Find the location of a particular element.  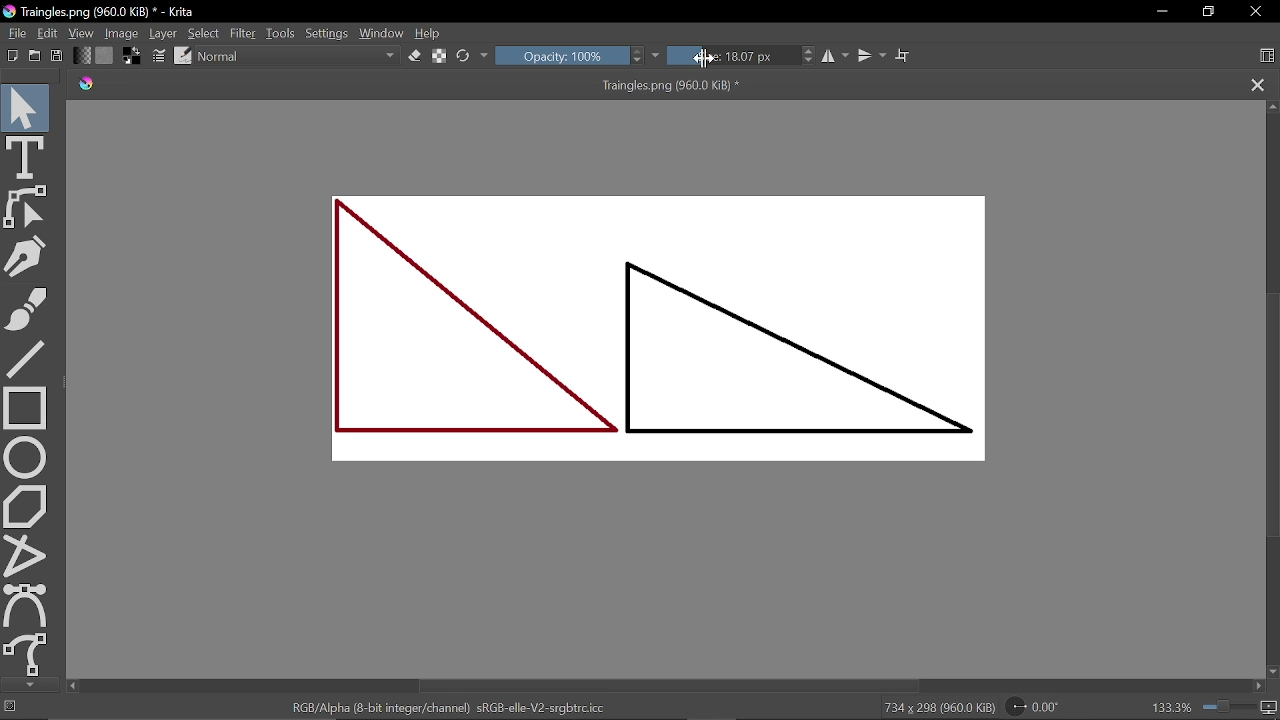

Traingles.png (960.0 KiB) * - Krita is located at coordinates (103, 13).